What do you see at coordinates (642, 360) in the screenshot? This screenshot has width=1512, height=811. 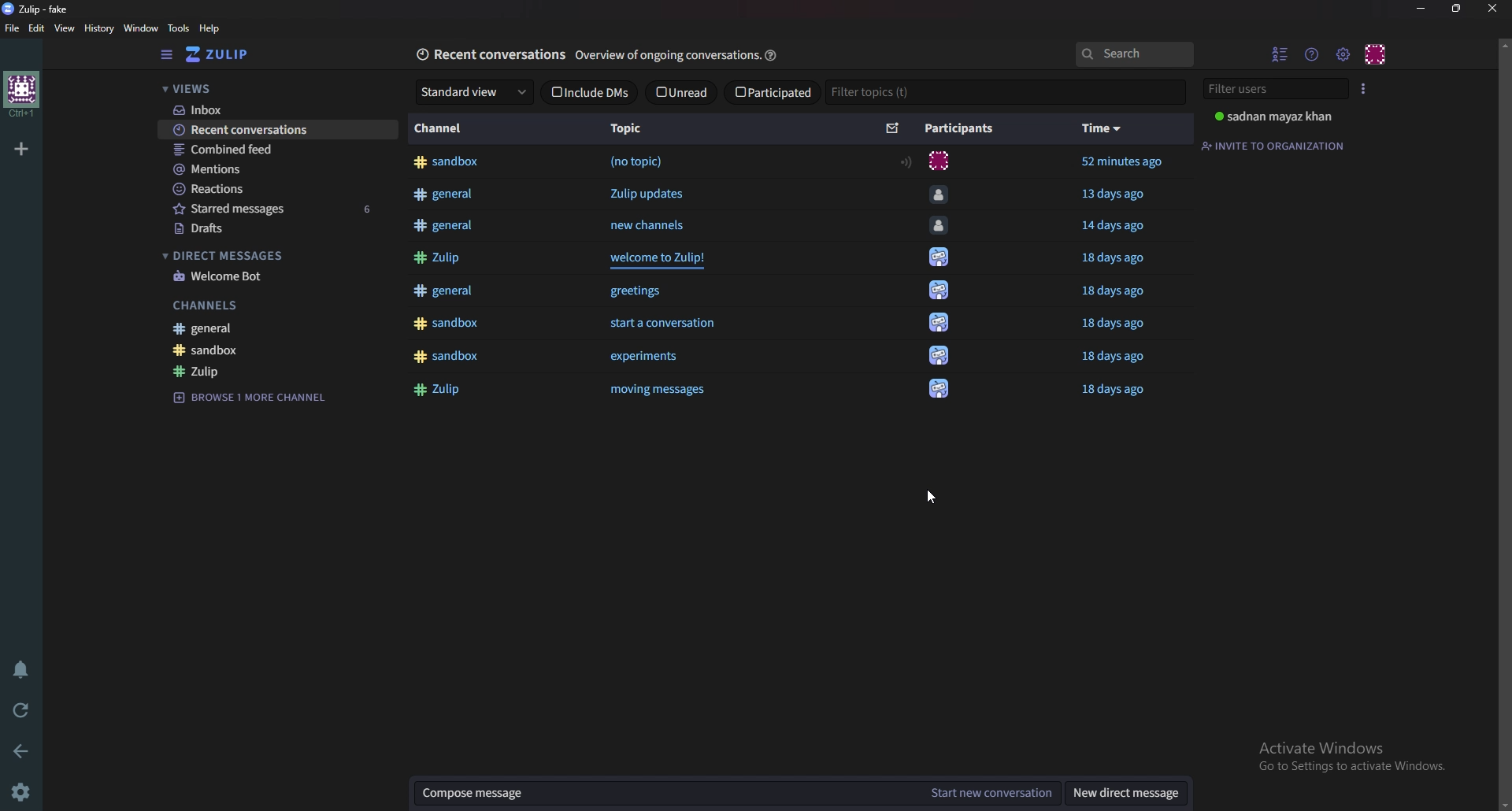 I see `‘experiments` at bounding box center [642, 360].